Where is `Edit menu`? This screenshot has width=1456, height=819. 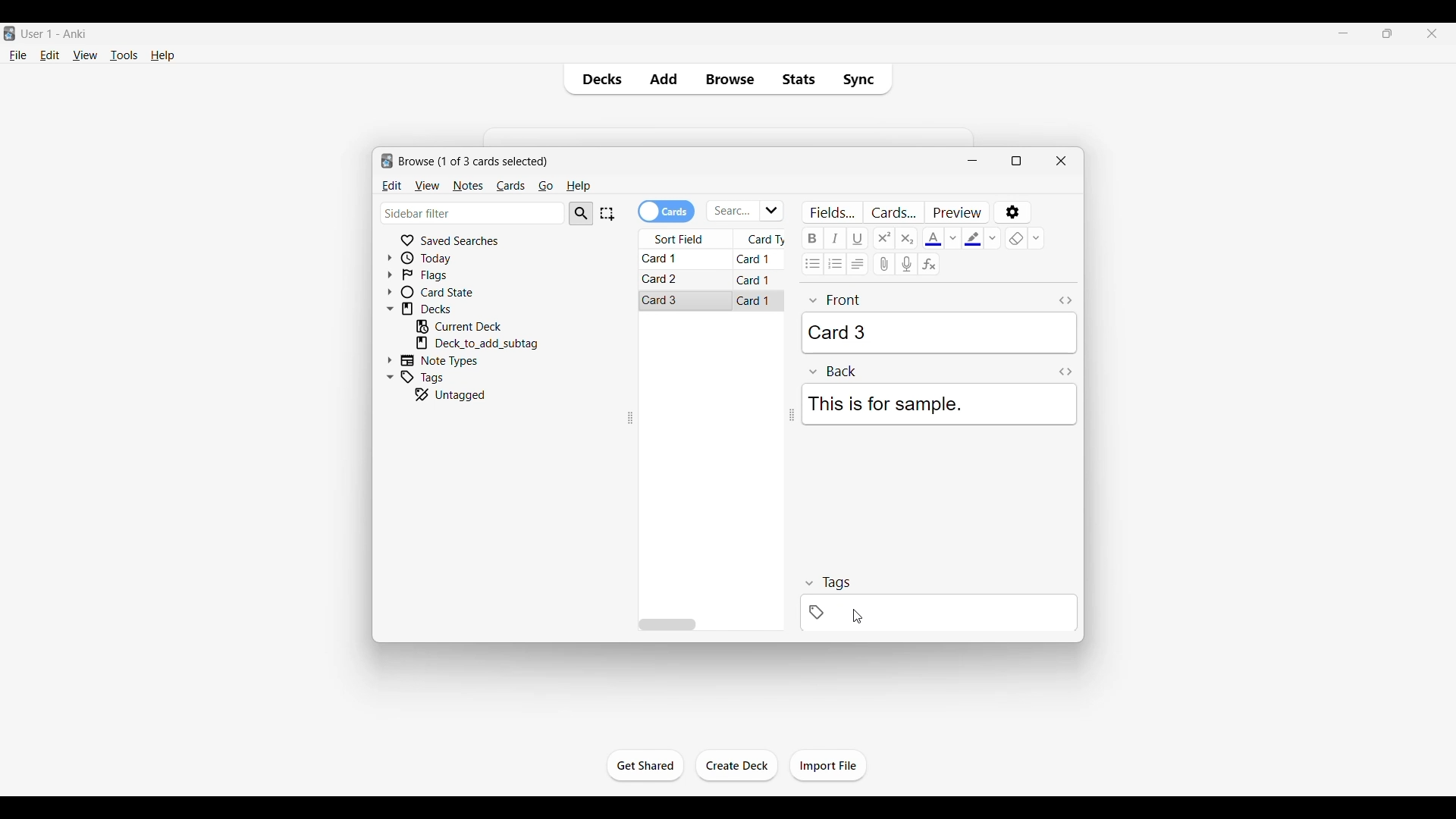
Edit menu is located at coordinates (392, 187).